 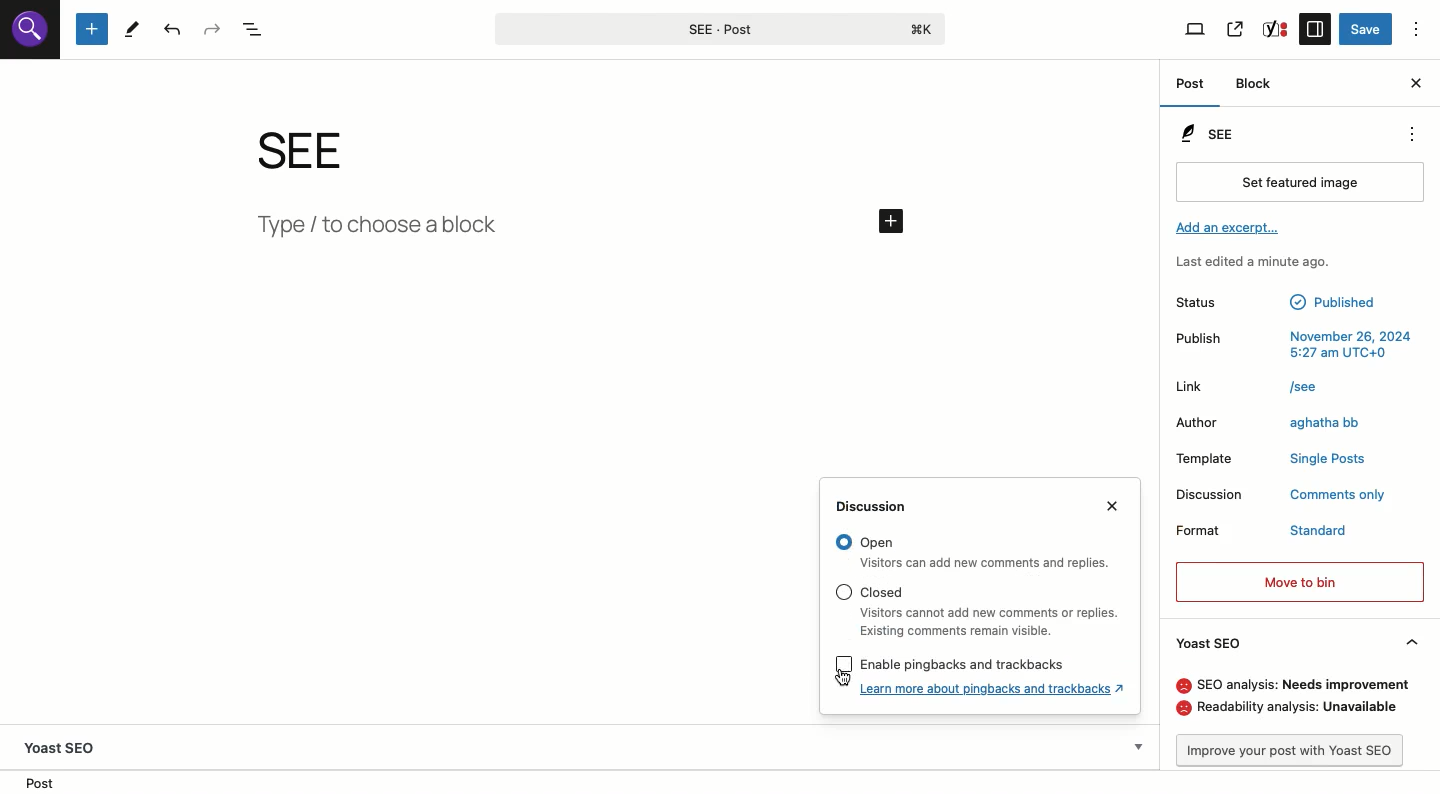 I want to click on [J Enable pingbacks and trackbacks, so click(x=941, y=661).